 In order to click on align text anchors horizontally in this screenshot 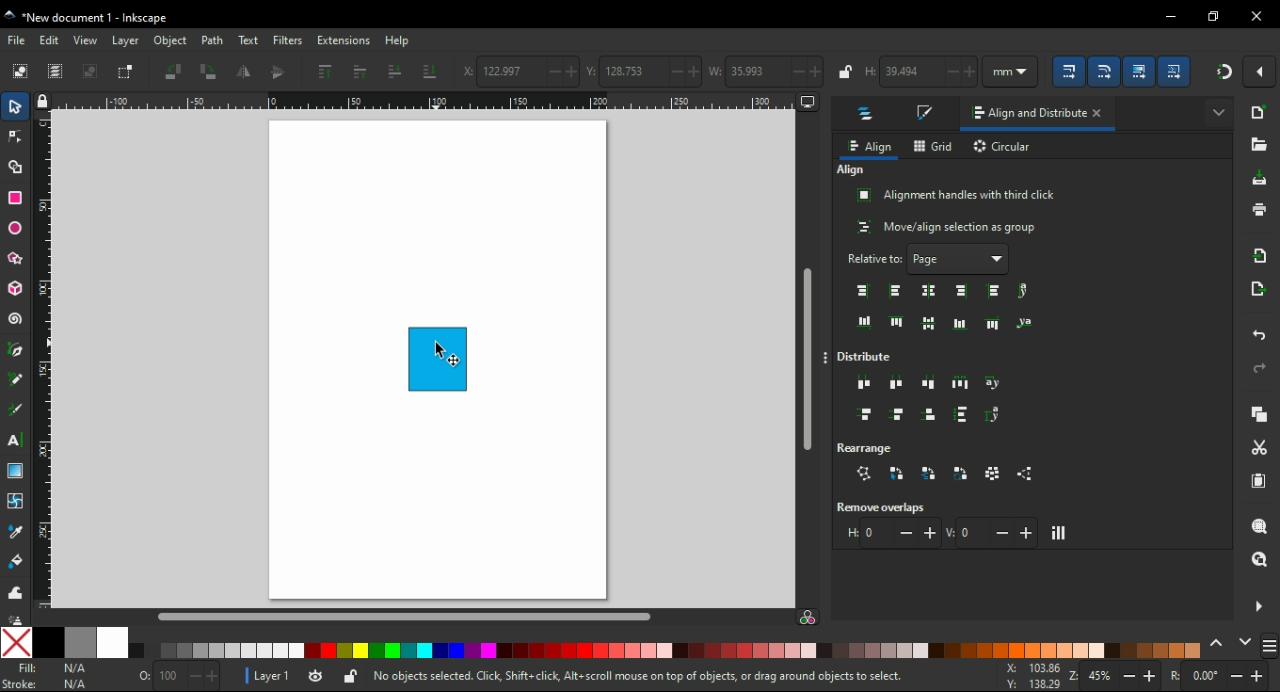, I will do `click(1030, 320)`.